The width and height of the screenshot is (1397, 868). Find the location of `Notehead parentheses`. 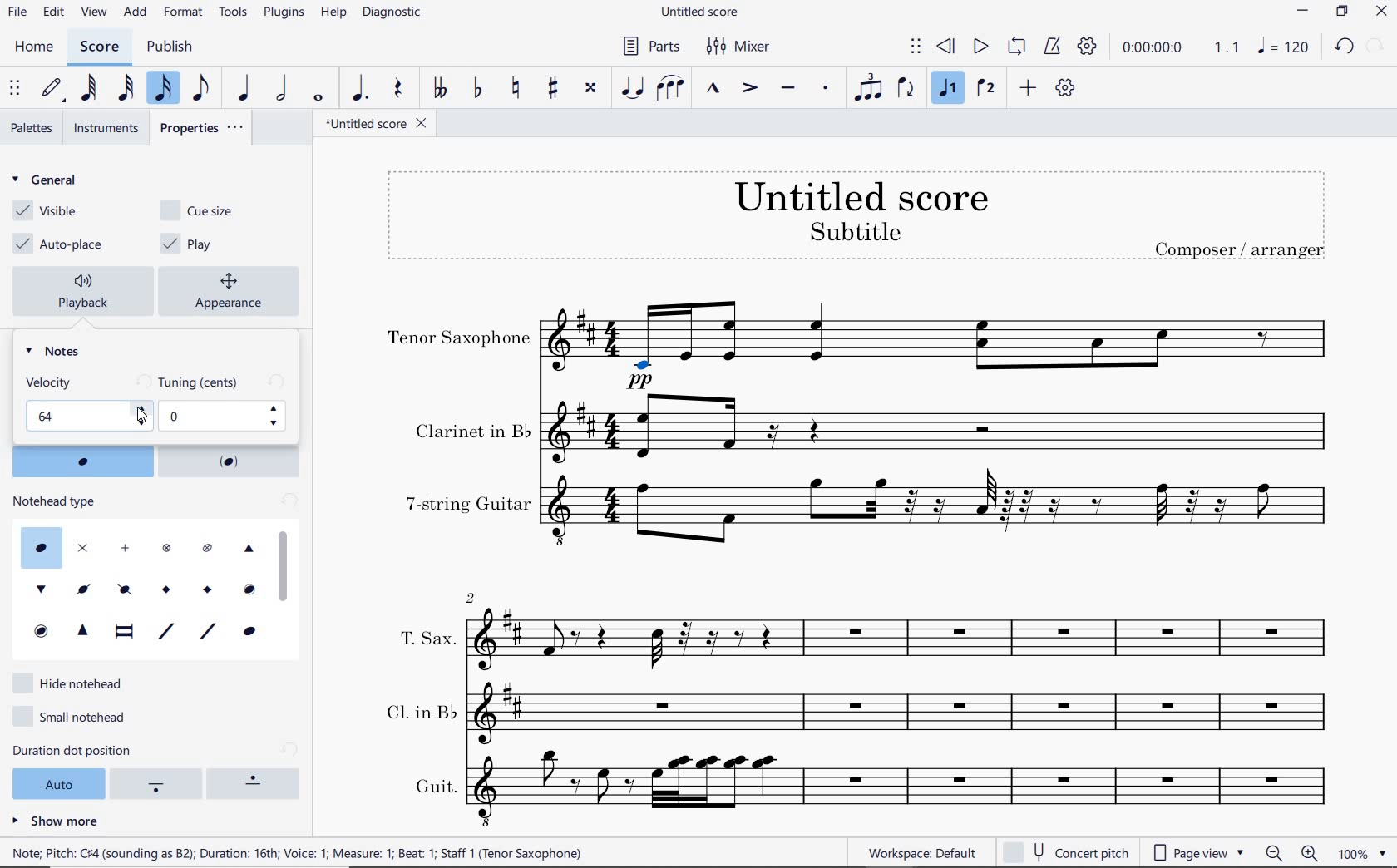

Notehead parentheses is located at coordinates (81, 461).